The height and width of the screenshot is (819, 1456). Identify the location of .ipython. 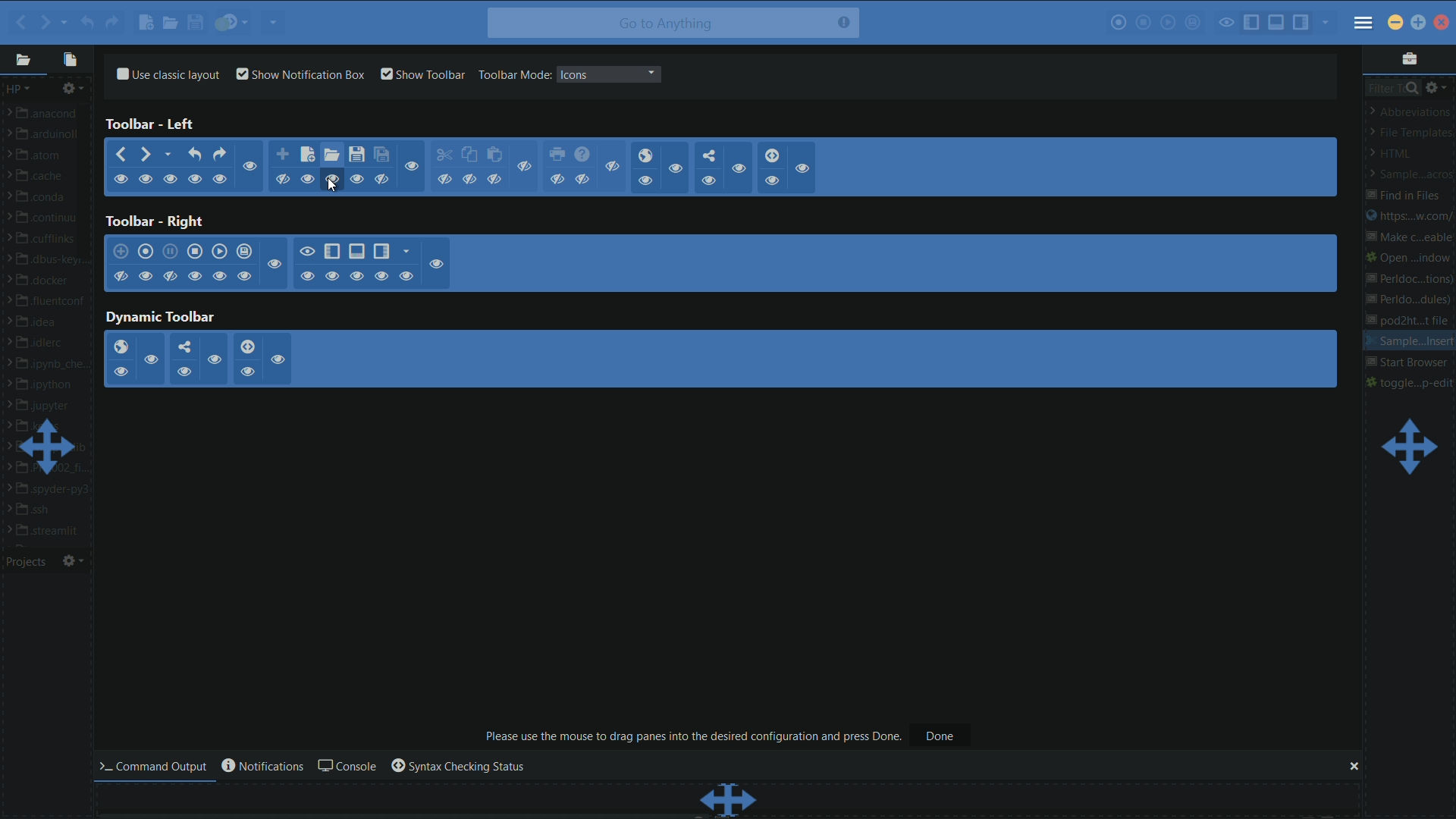
(49, 385).